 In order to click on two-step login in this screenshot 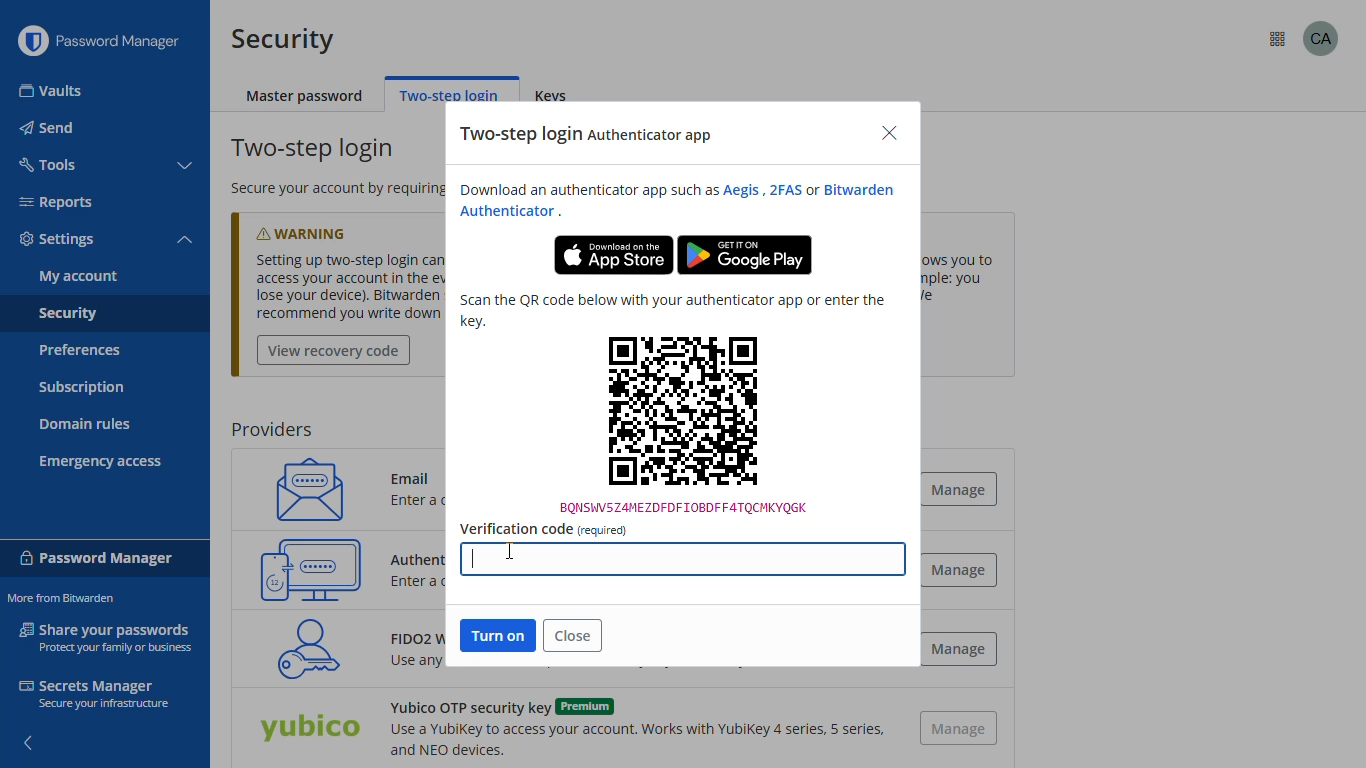, I will do `click(315, 149)`.